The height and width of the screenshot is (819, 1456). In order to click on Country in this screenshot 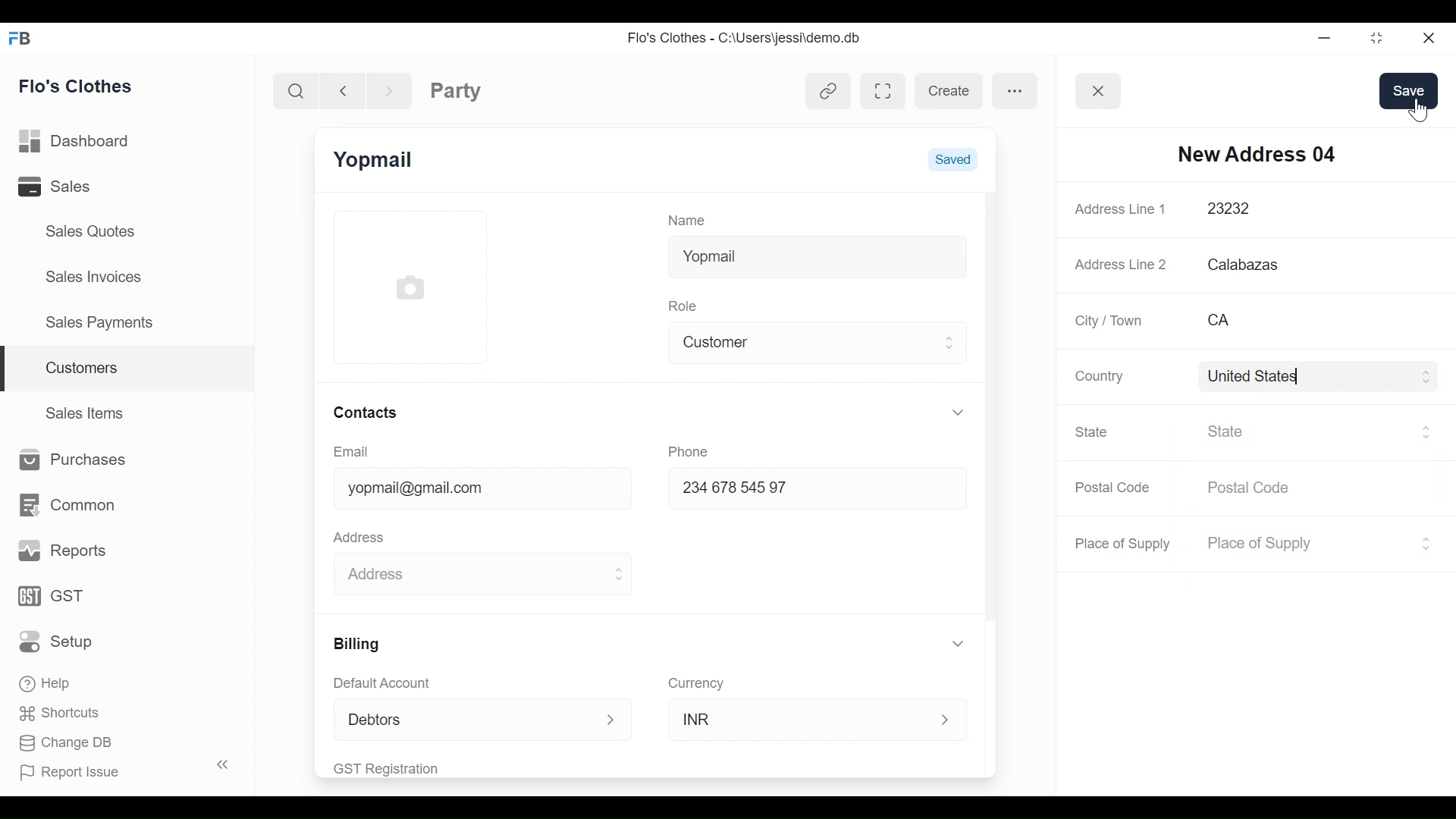, I will do `click(1097, 375)`.